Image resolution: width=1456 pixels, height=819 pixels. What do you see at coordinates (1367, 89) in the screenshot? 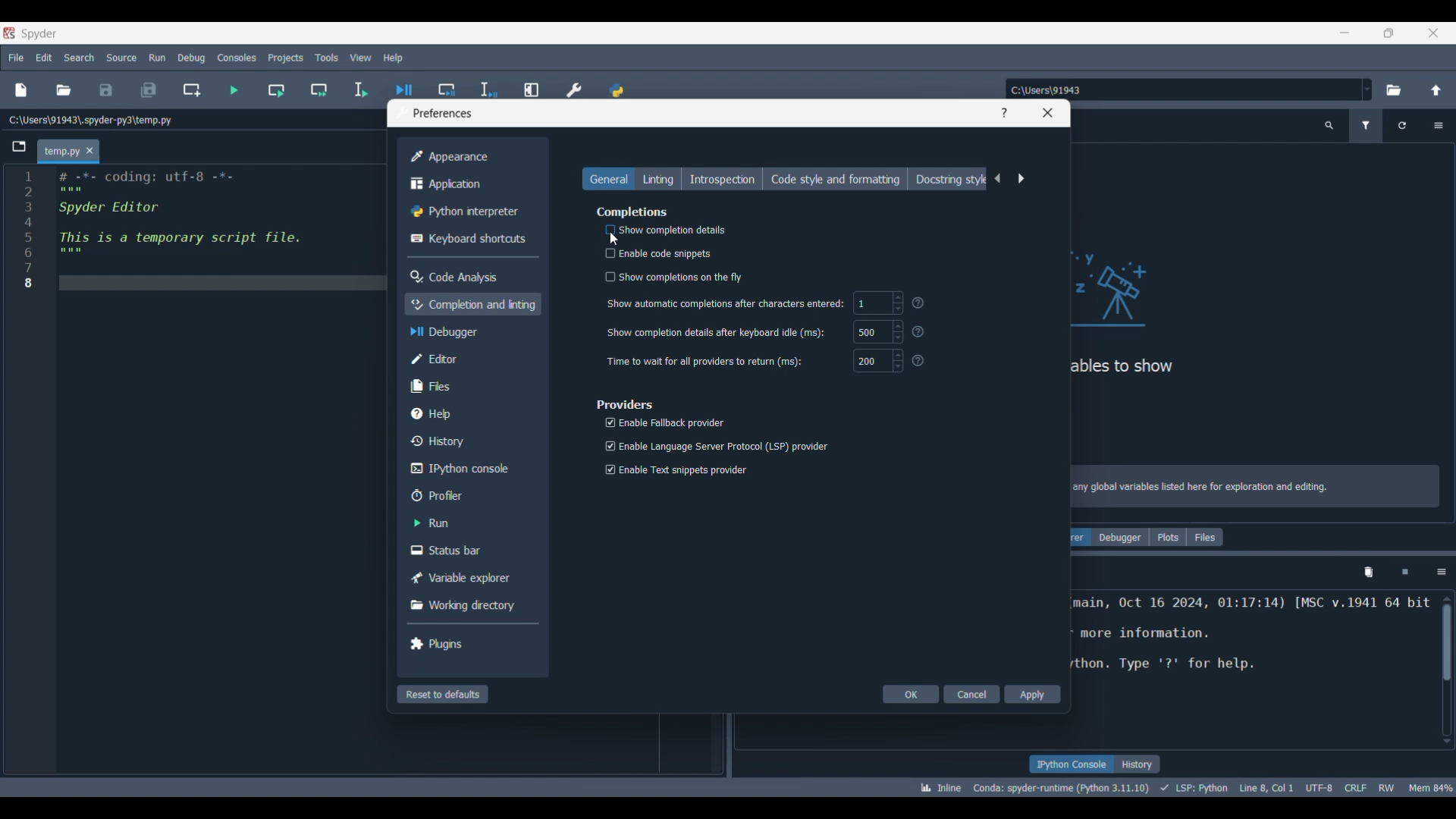
I see `Location options` at bounding box center [1367, 89].